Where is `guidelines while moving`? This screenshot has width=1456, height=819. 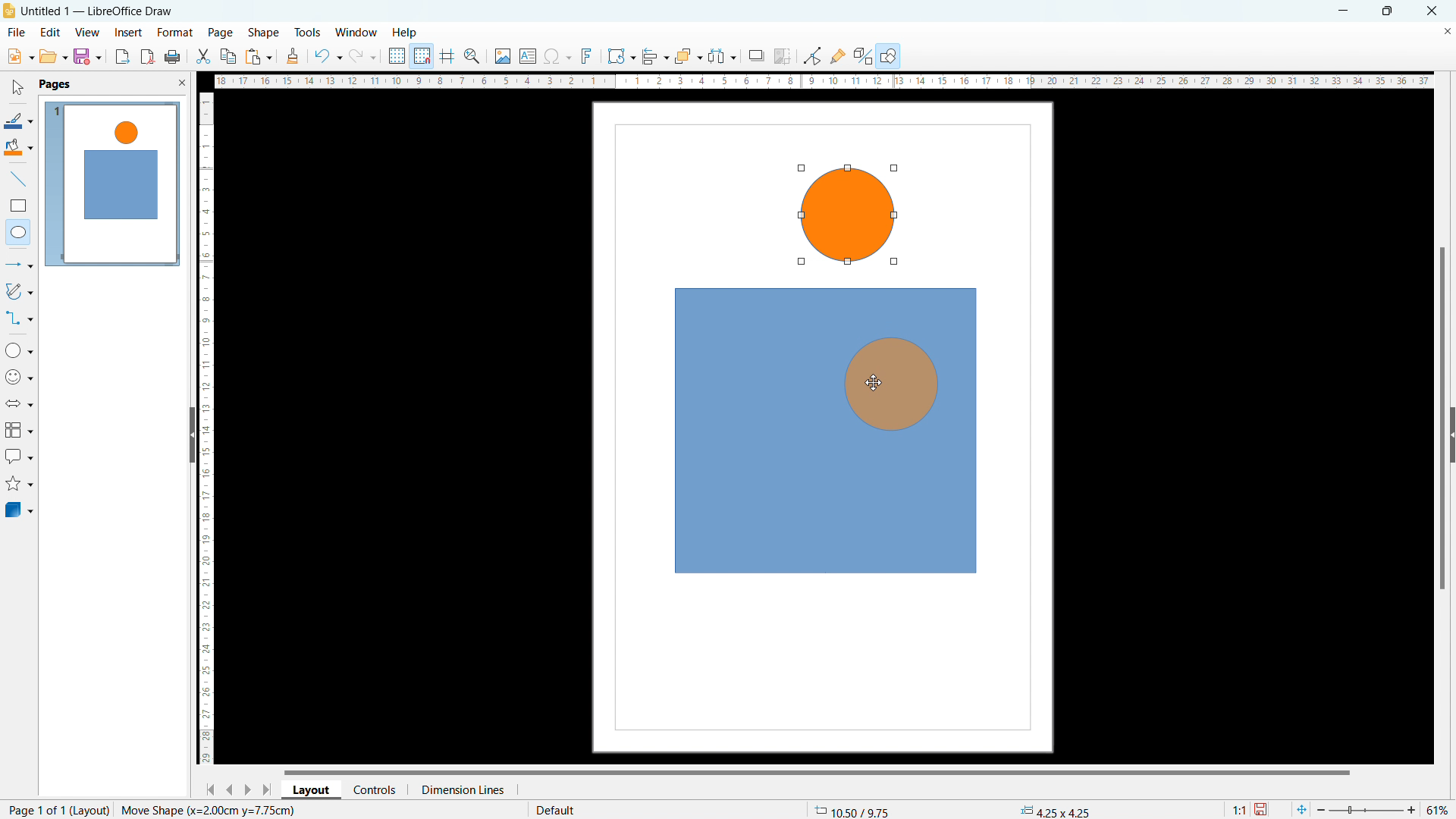
guidelines while moving is located at coordinates (447, 57).